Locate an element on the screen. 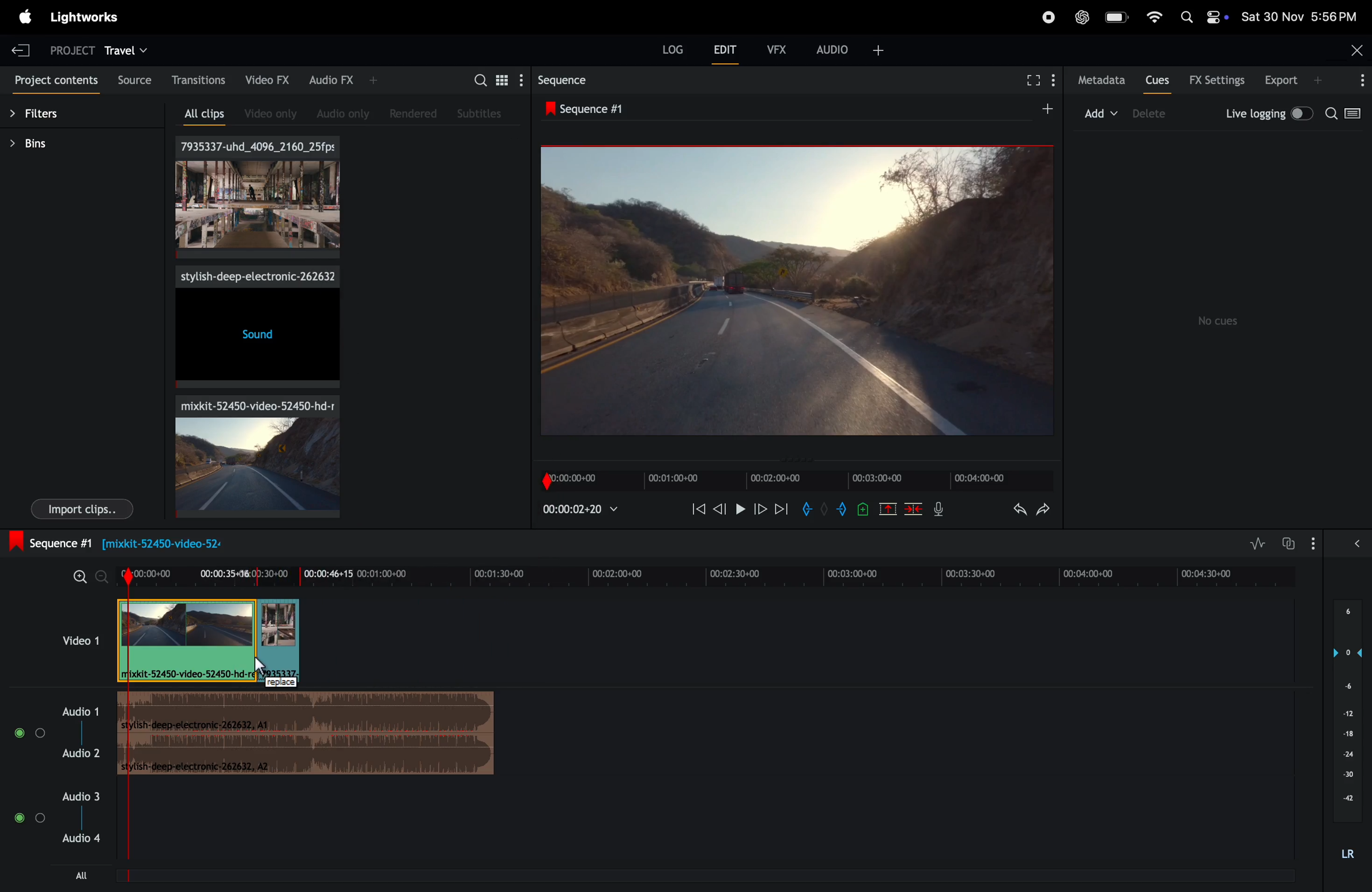 The height and width of the screenshot is (892, 1372). rendered is located at coordinates (417, 114).